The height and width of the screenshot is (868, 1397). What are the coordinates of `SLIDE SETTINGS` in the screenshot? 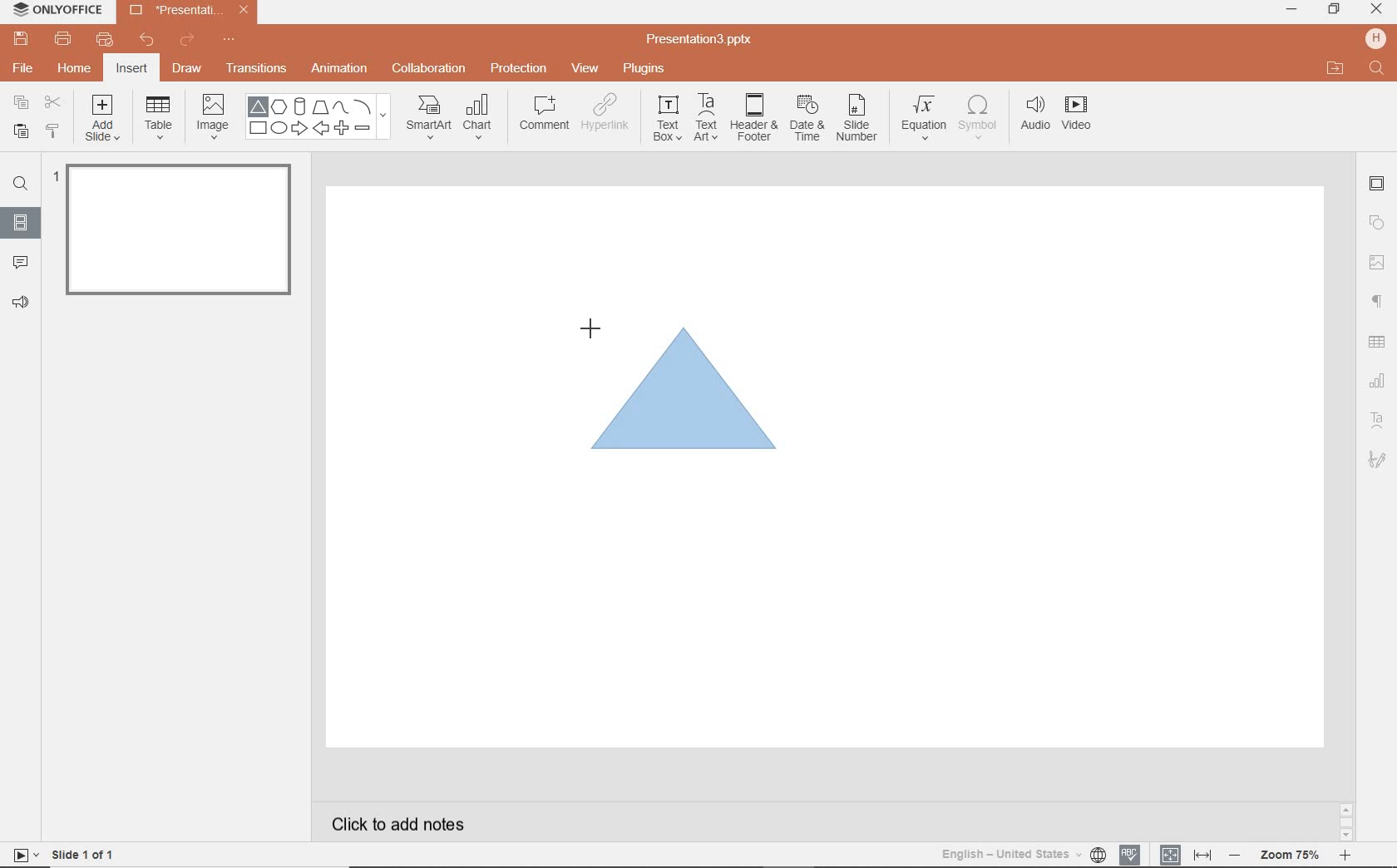 It's located at (1377, 185).